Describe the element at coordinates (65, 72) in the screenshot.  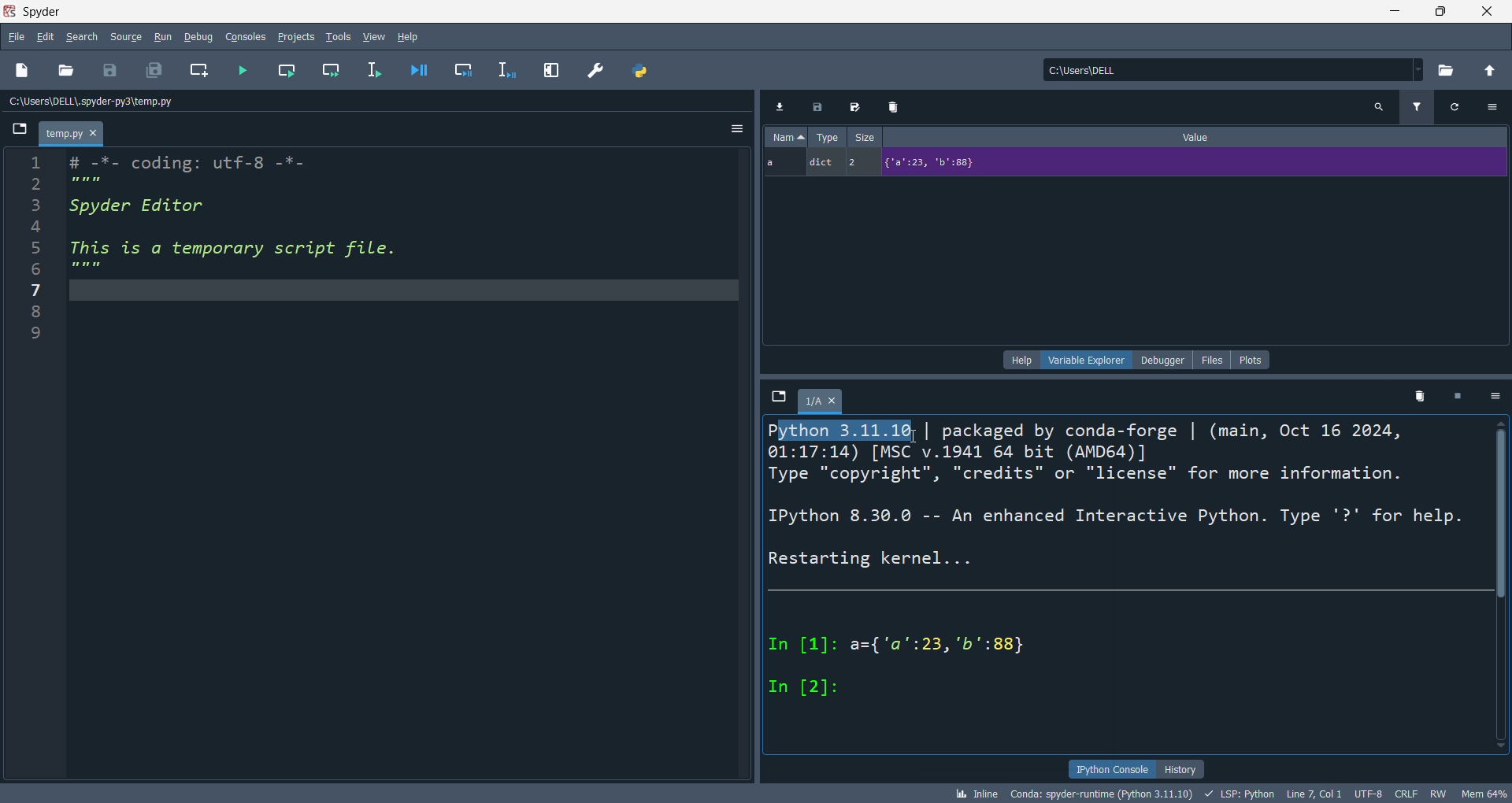
I see `open folder` at that location.